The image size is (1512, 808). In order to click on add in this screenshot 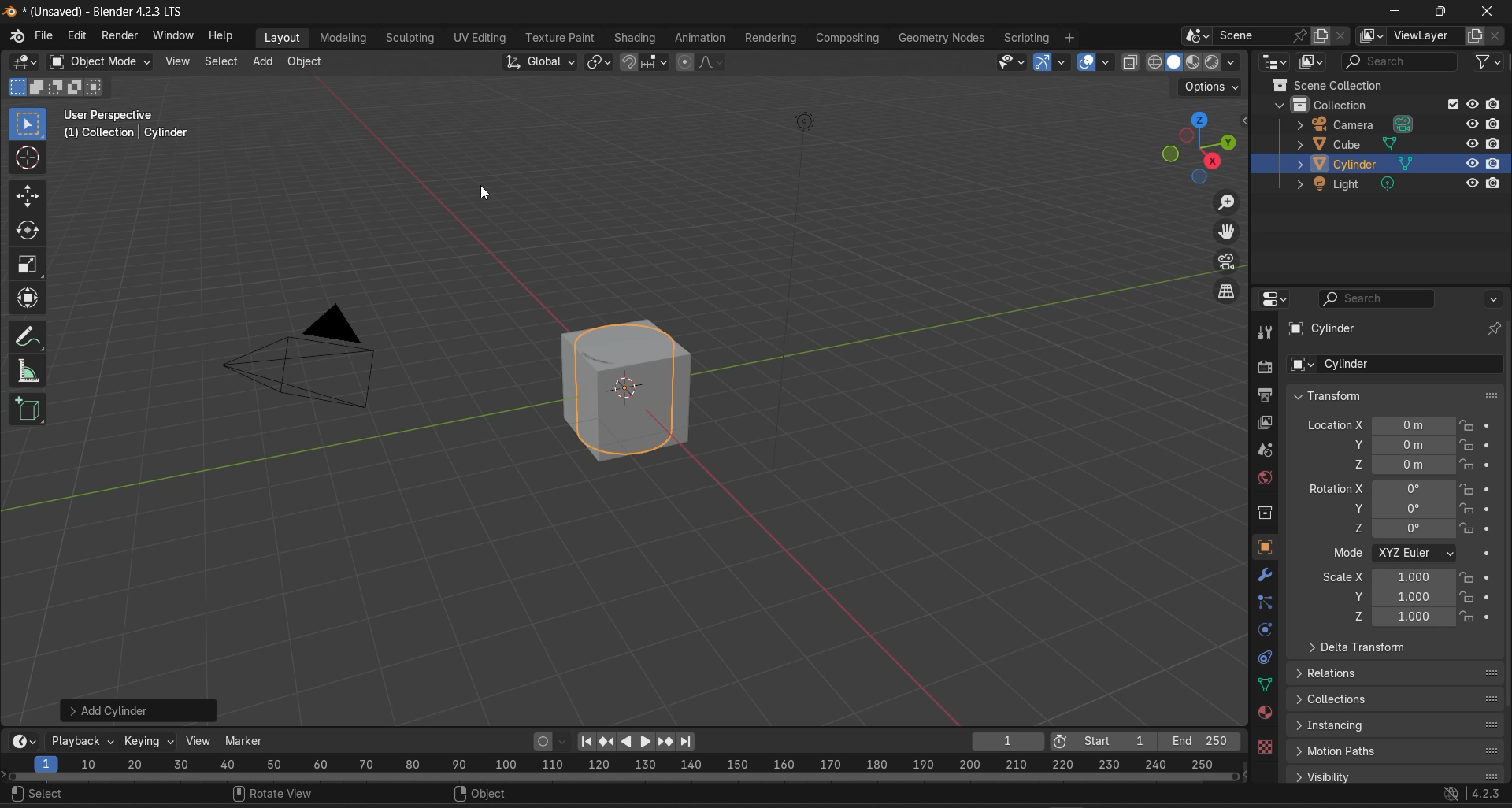, I will do `click(261, 61)`.